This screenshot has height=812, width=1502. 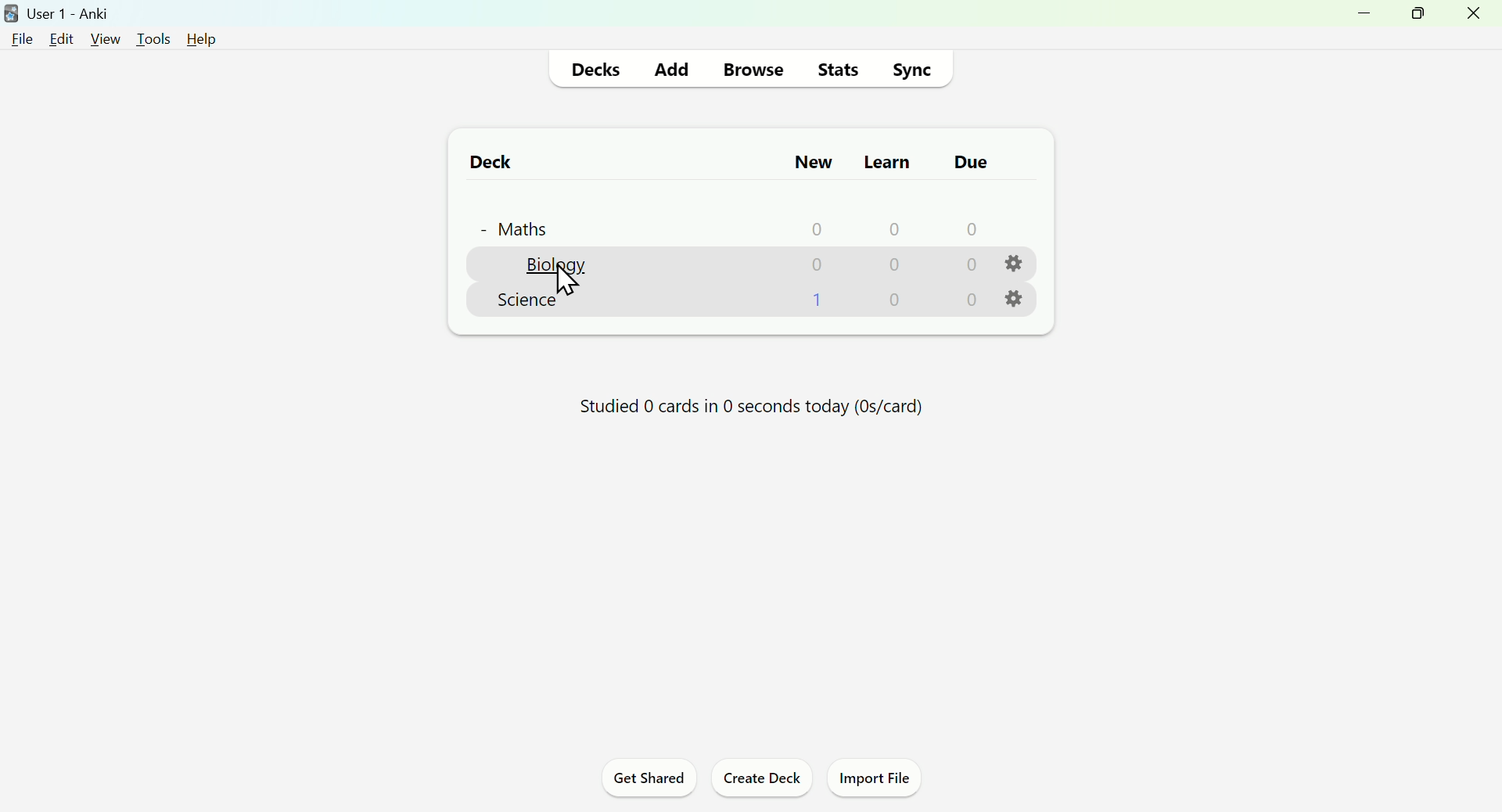 What do you see at coordinates (196, 38) in the screenshot?
I see `Help` at bounding box center [196, 38].